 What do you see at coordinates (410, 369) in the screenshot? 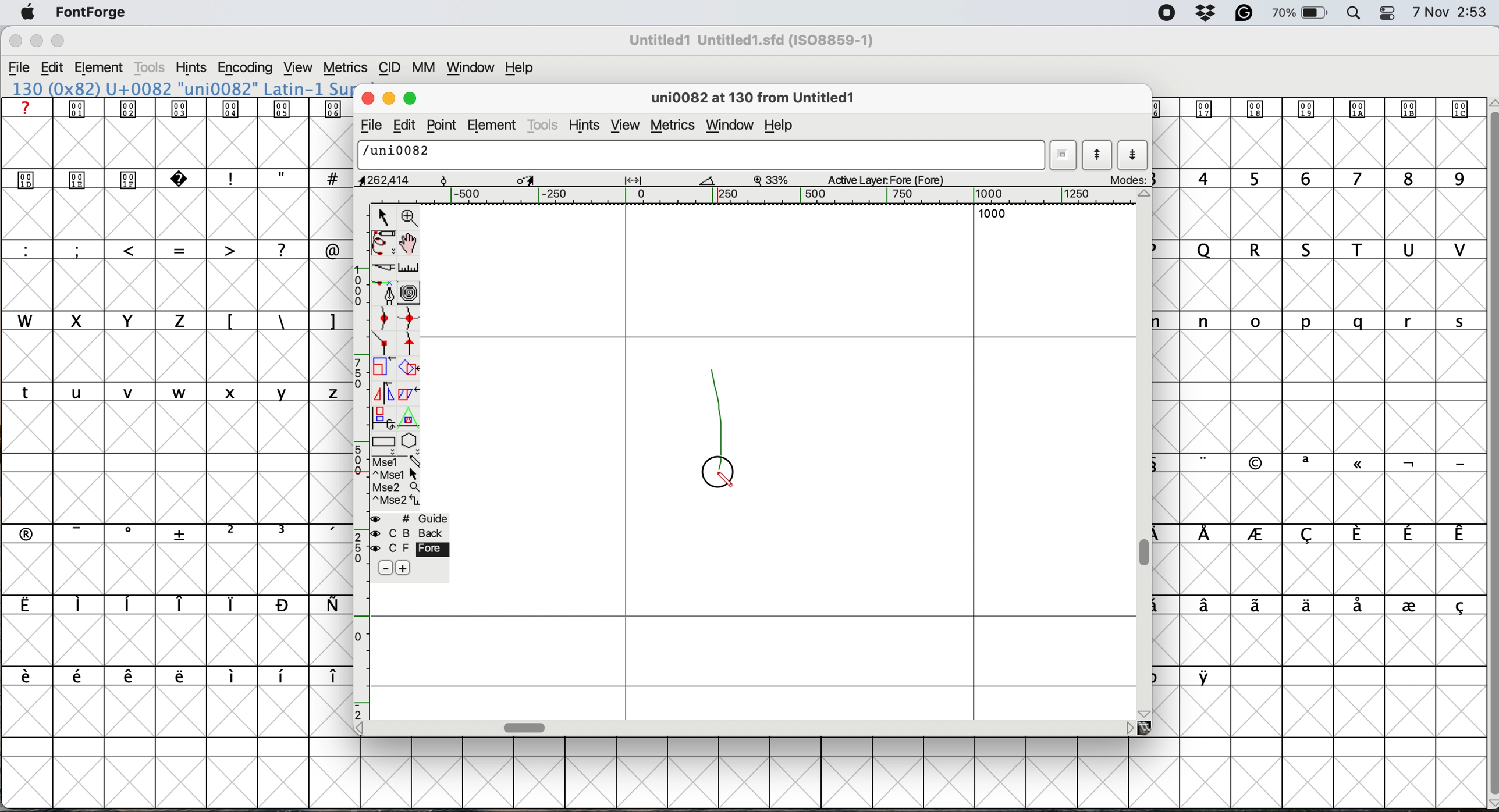
I see `rotate selection` at bounding box center [410, 369].